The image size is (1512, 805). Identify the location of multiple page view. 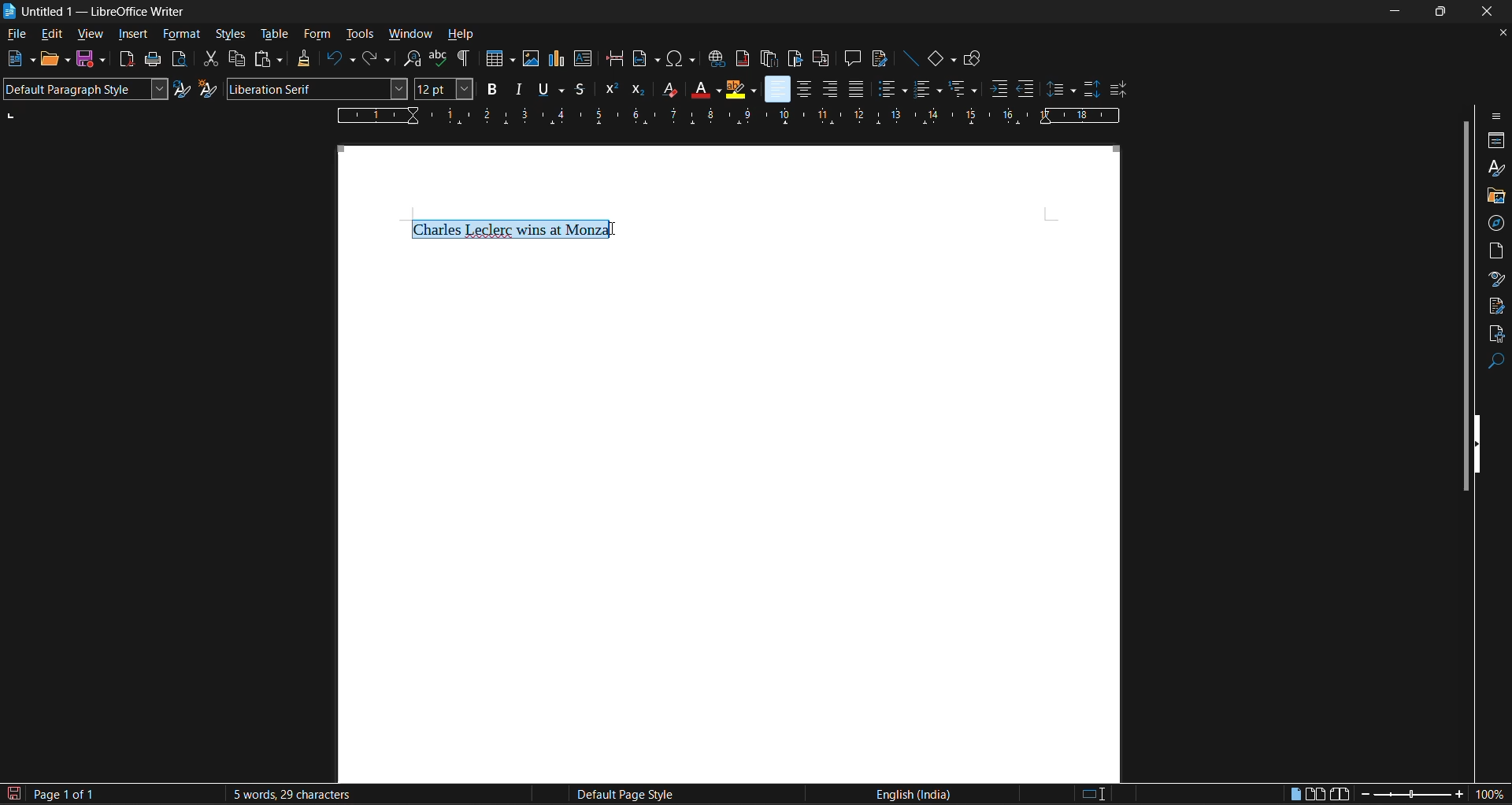
(1315, 793).